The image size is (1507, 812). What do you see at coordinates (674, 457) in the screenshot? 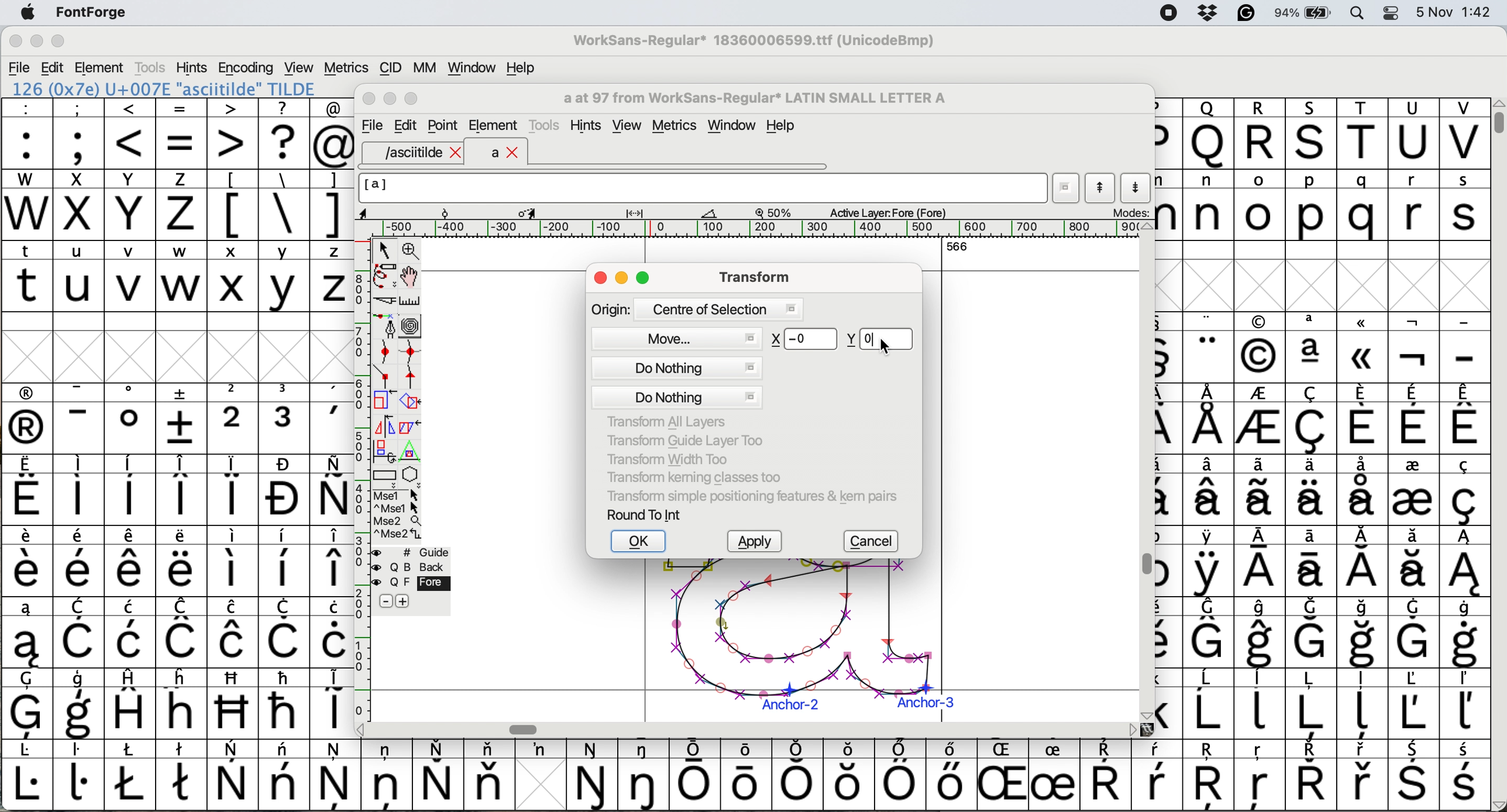
I see `tranform width too` at bounding box center [674, 457].